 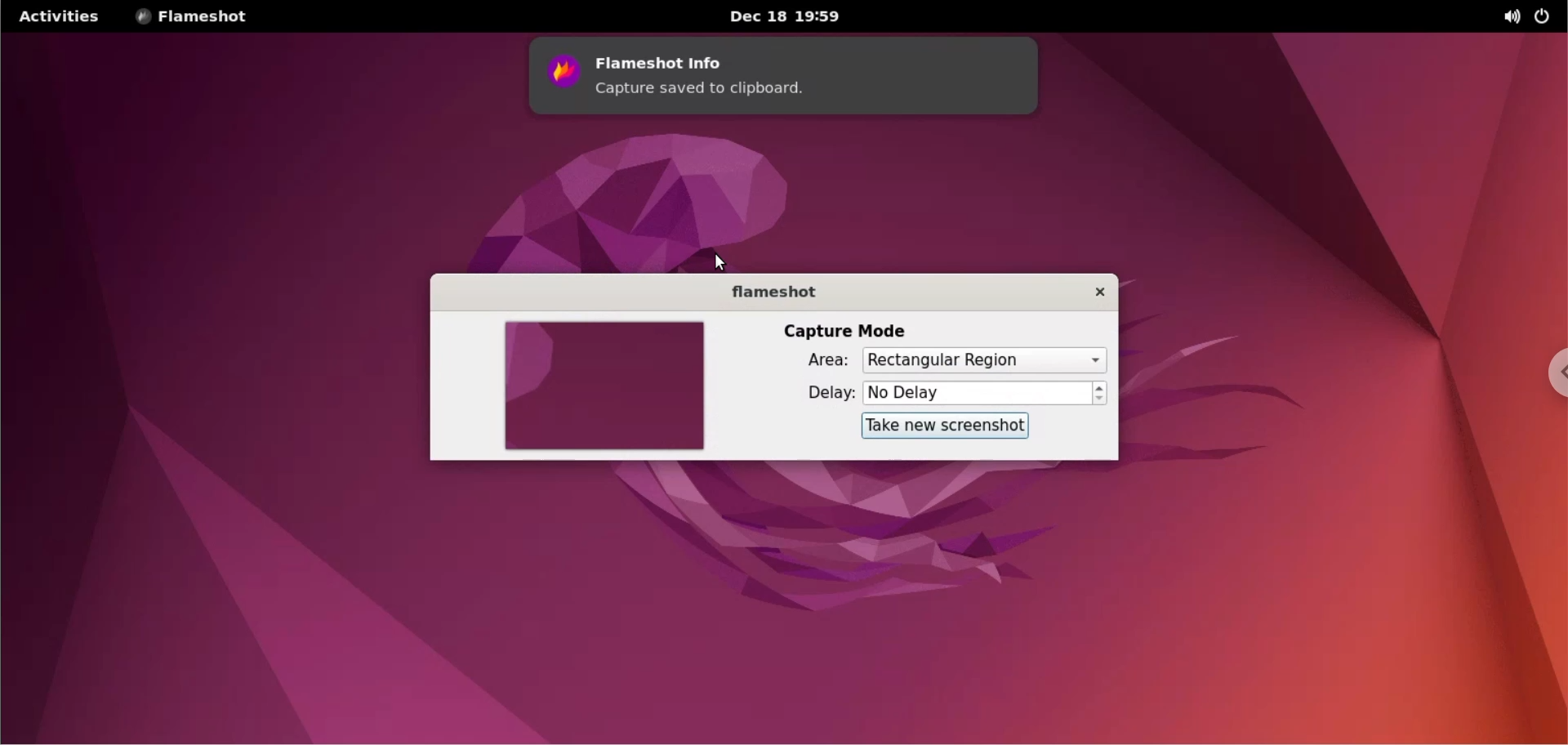 I want to click on delay options, so click(x=978, y=393).